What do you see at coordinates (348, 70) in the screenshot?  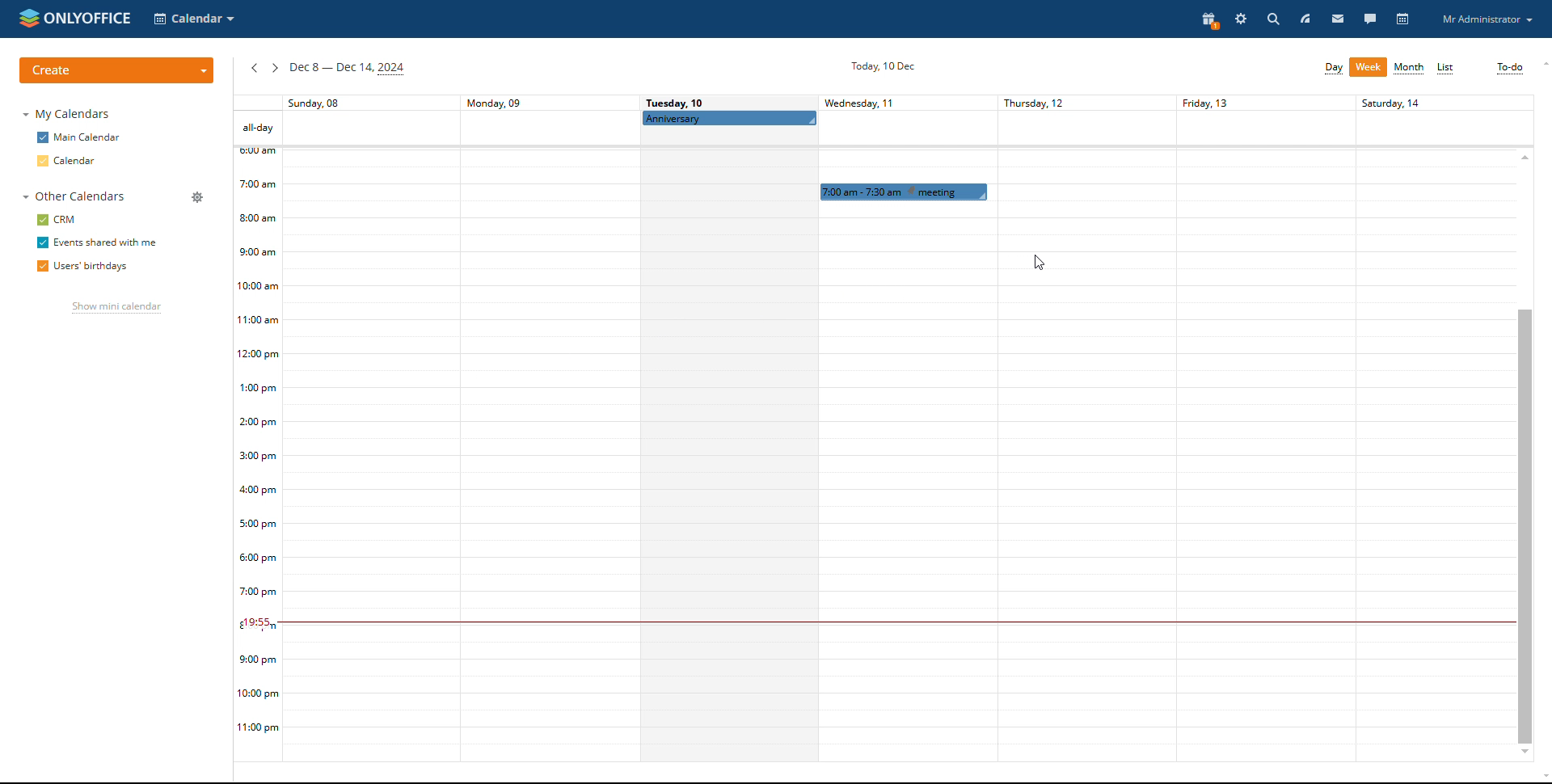 I see `current week` at bounding box center [348, 70].